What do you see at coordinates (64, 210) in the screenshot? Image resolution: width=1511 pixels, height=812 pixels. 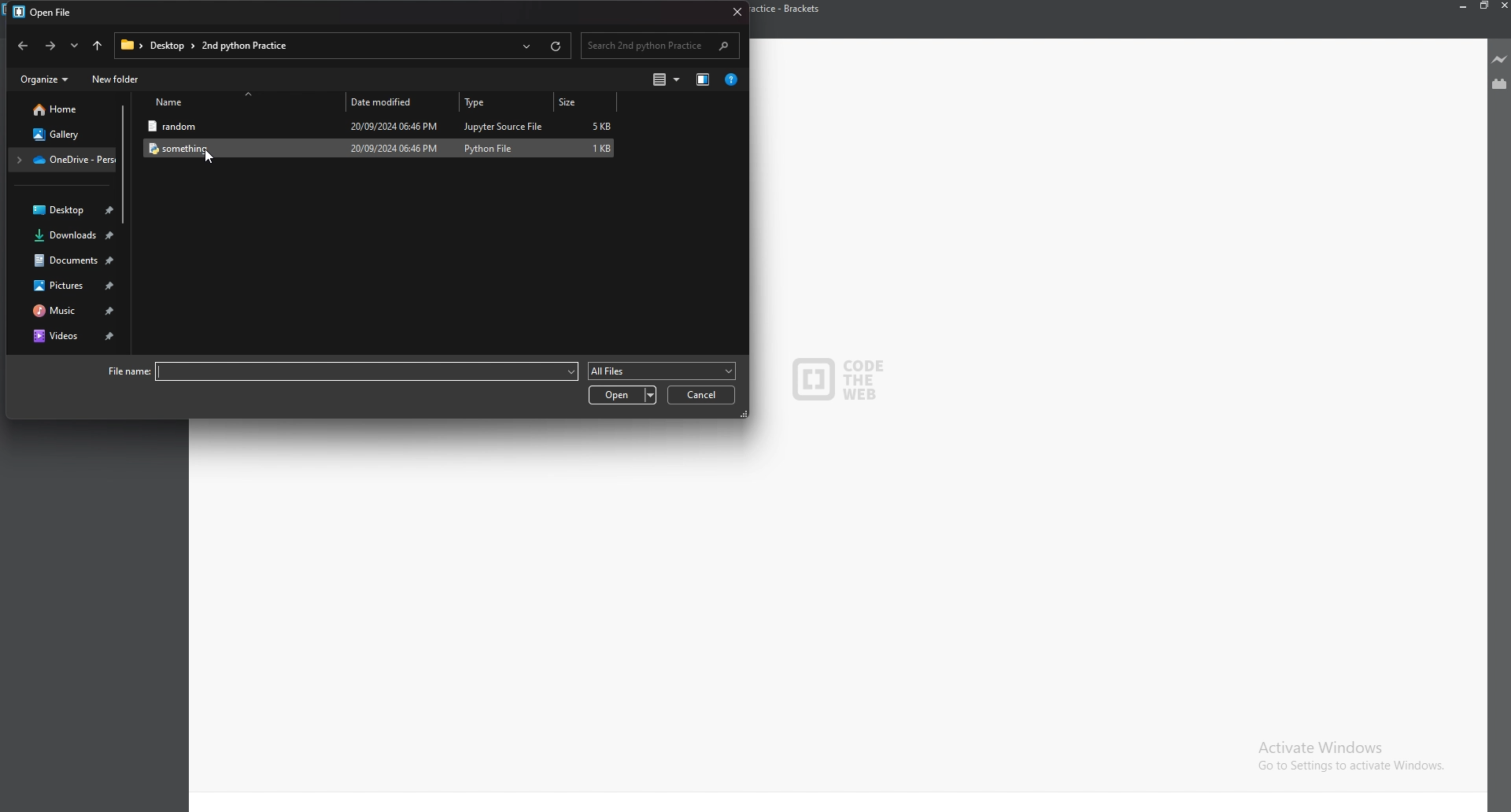 I see `desktop` at bounding box center [64, 210].